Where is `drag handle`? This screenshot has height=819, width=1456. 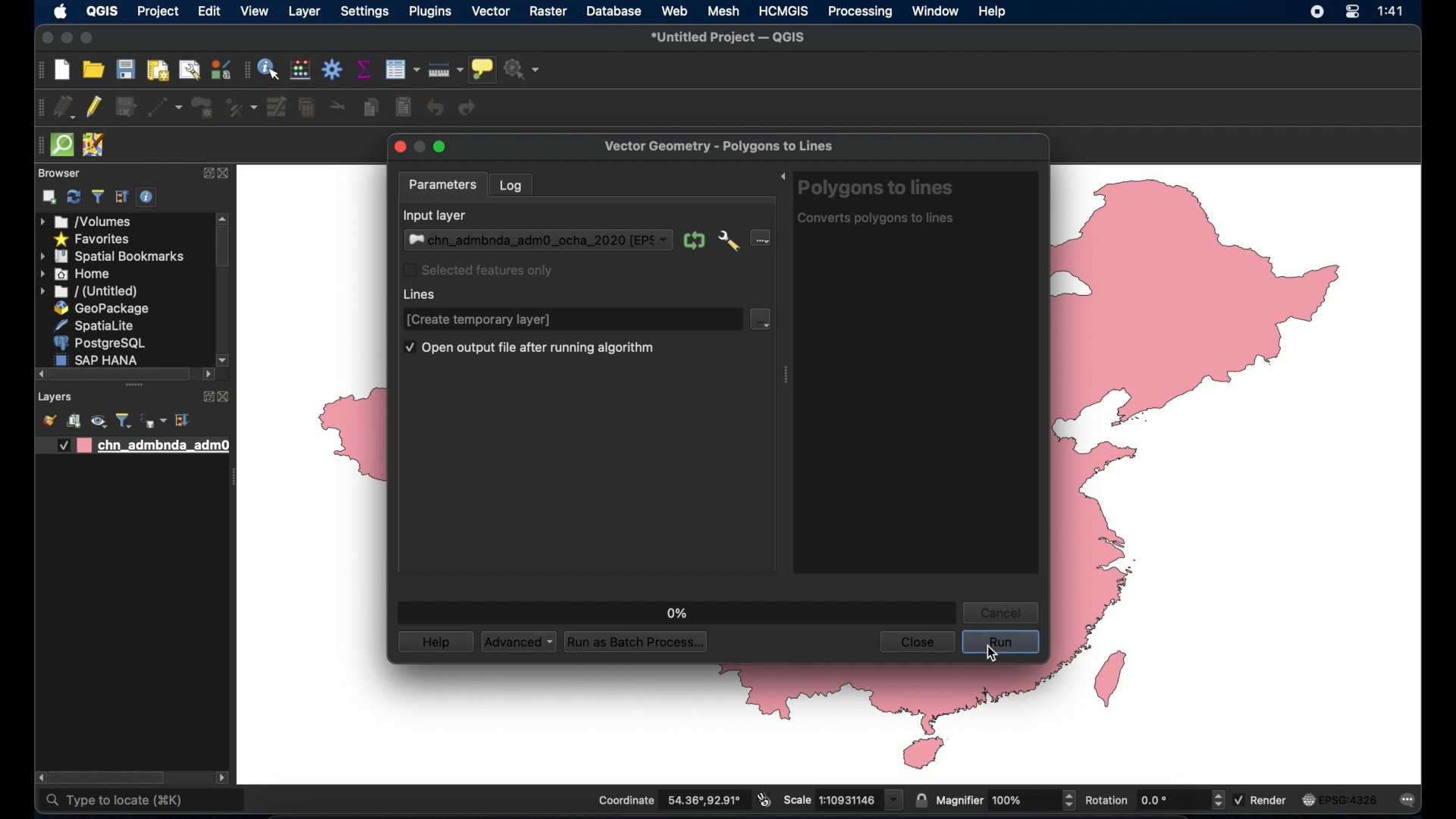 drag handle is located at coordinates (787, 375).